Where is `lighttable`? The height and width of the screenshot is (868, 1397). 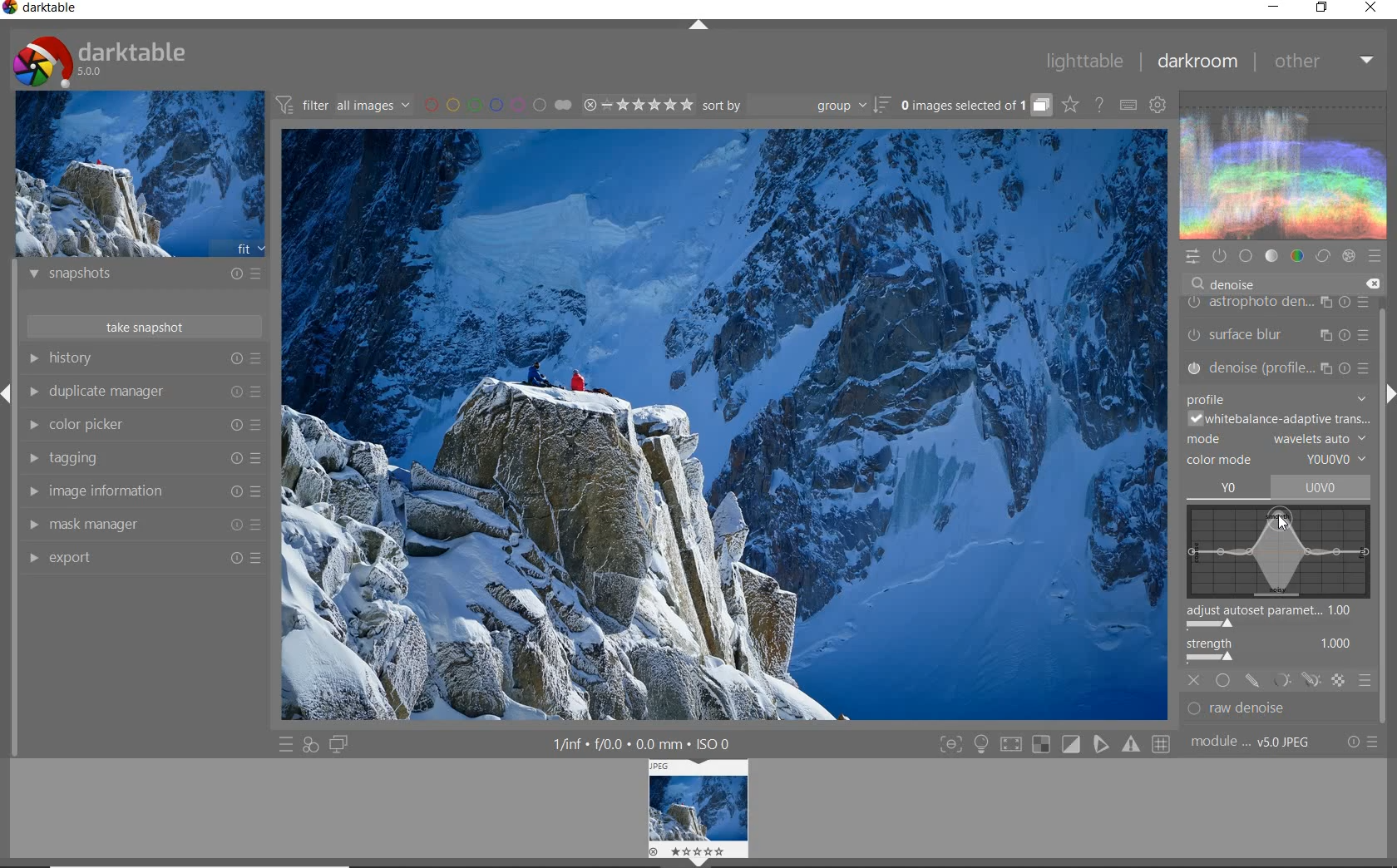 lighttable is located at coordinates (1085, 60).